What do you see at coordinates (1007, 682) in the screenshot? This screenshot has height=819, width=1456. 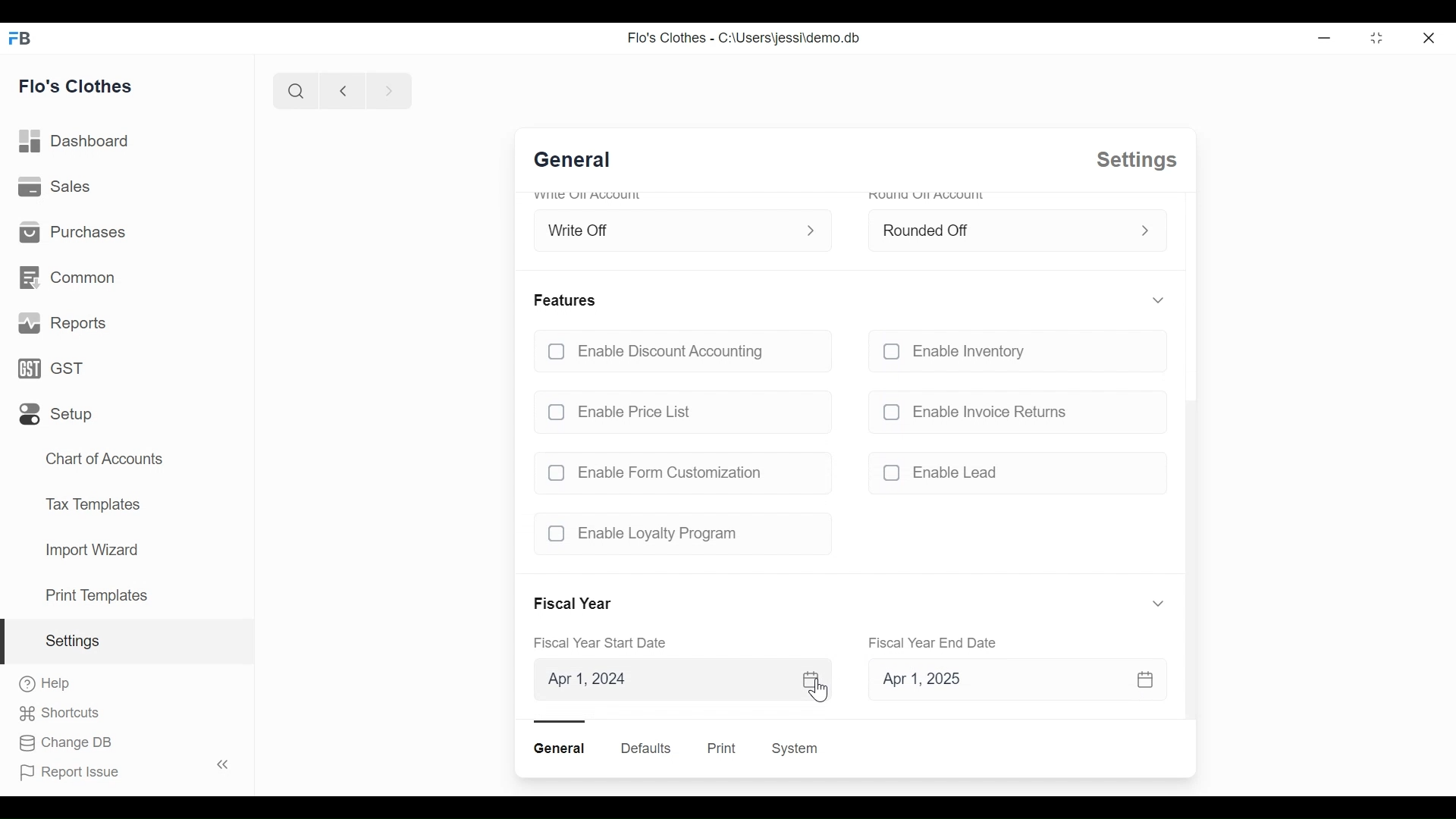 I see `Apr 1, 2025` at bounding box center [1007, 682].